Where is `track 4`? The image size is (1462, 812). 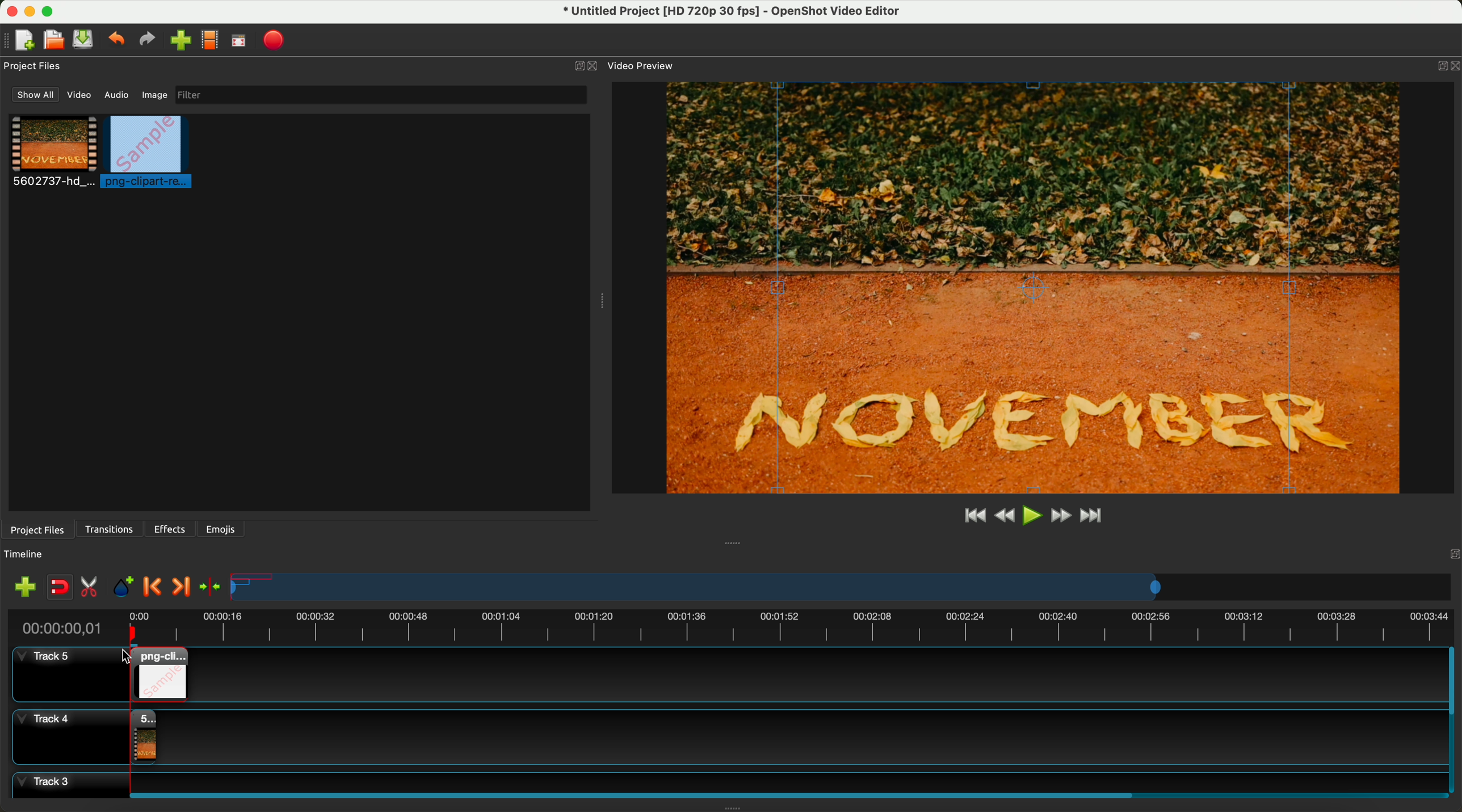 track 4 is located at coordinates (68, 734).